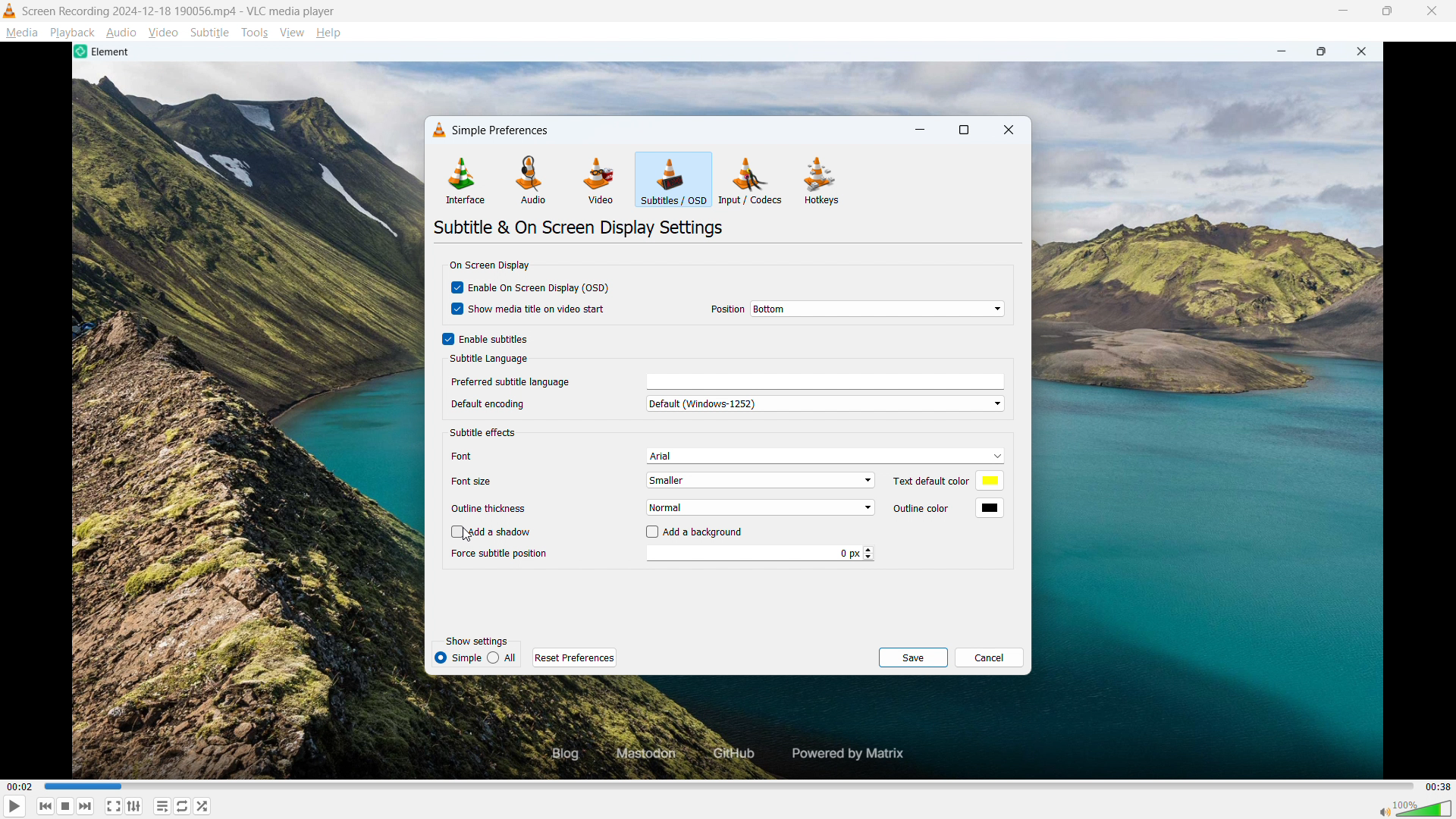 The image size is (1456, 819). I want to click on time bar, so click(726, 786).